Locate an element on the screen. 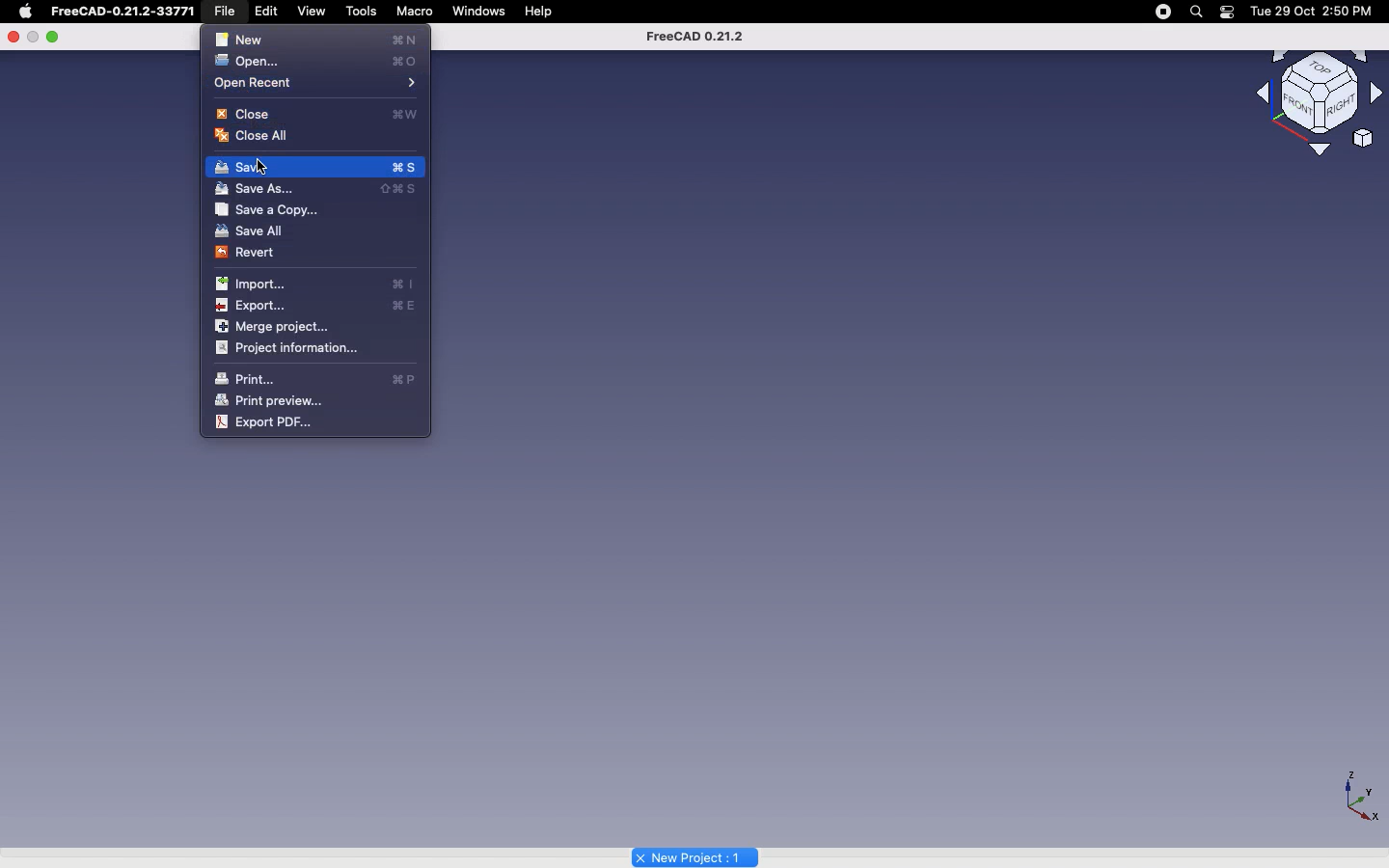 This screenshot has width=1389, height=868. Apple logo is located at coordinates (26, 12).